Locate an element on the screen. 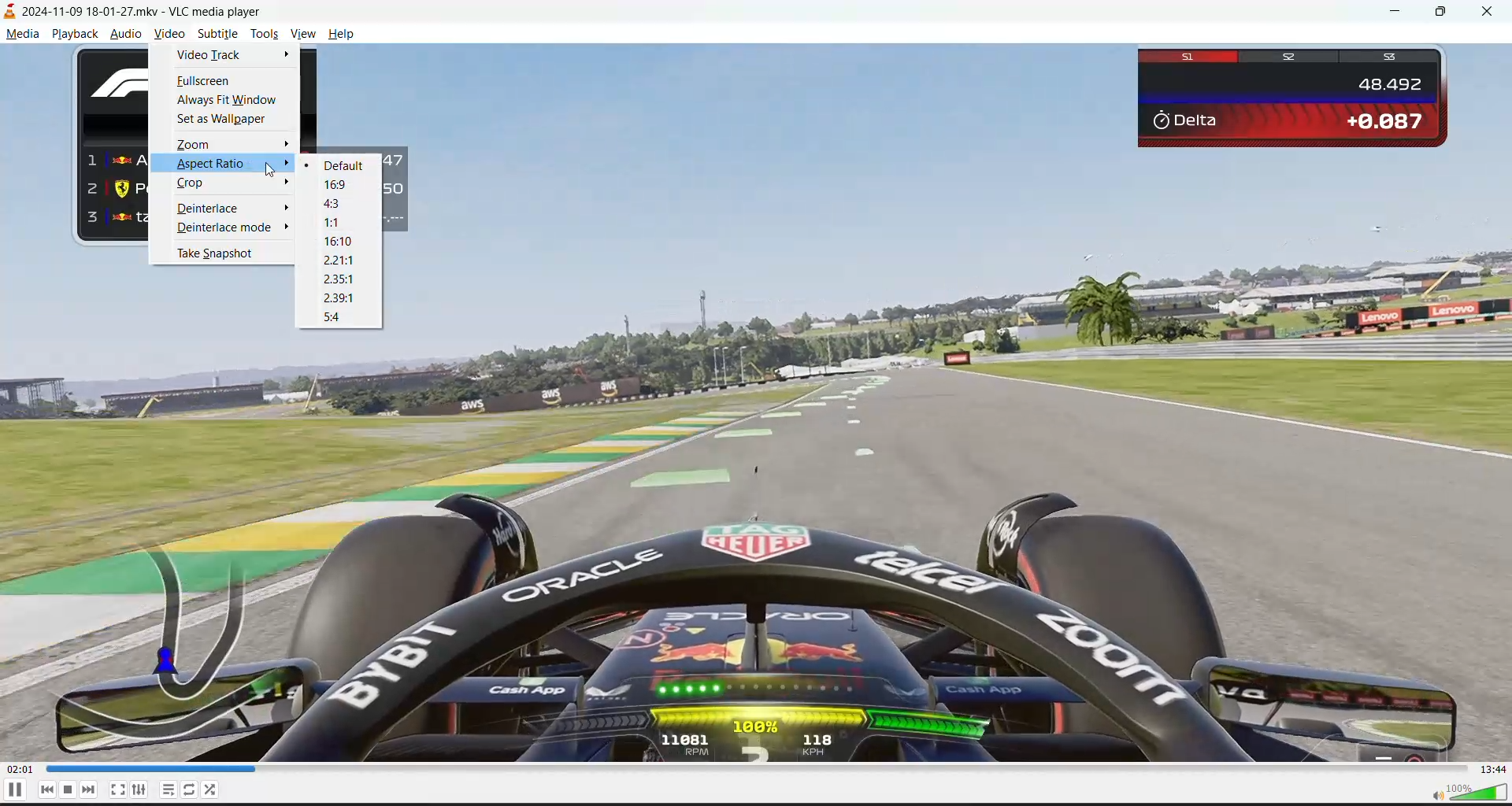 This screenshot has width=1512, height=806. view is located at coordinates (306, 35).